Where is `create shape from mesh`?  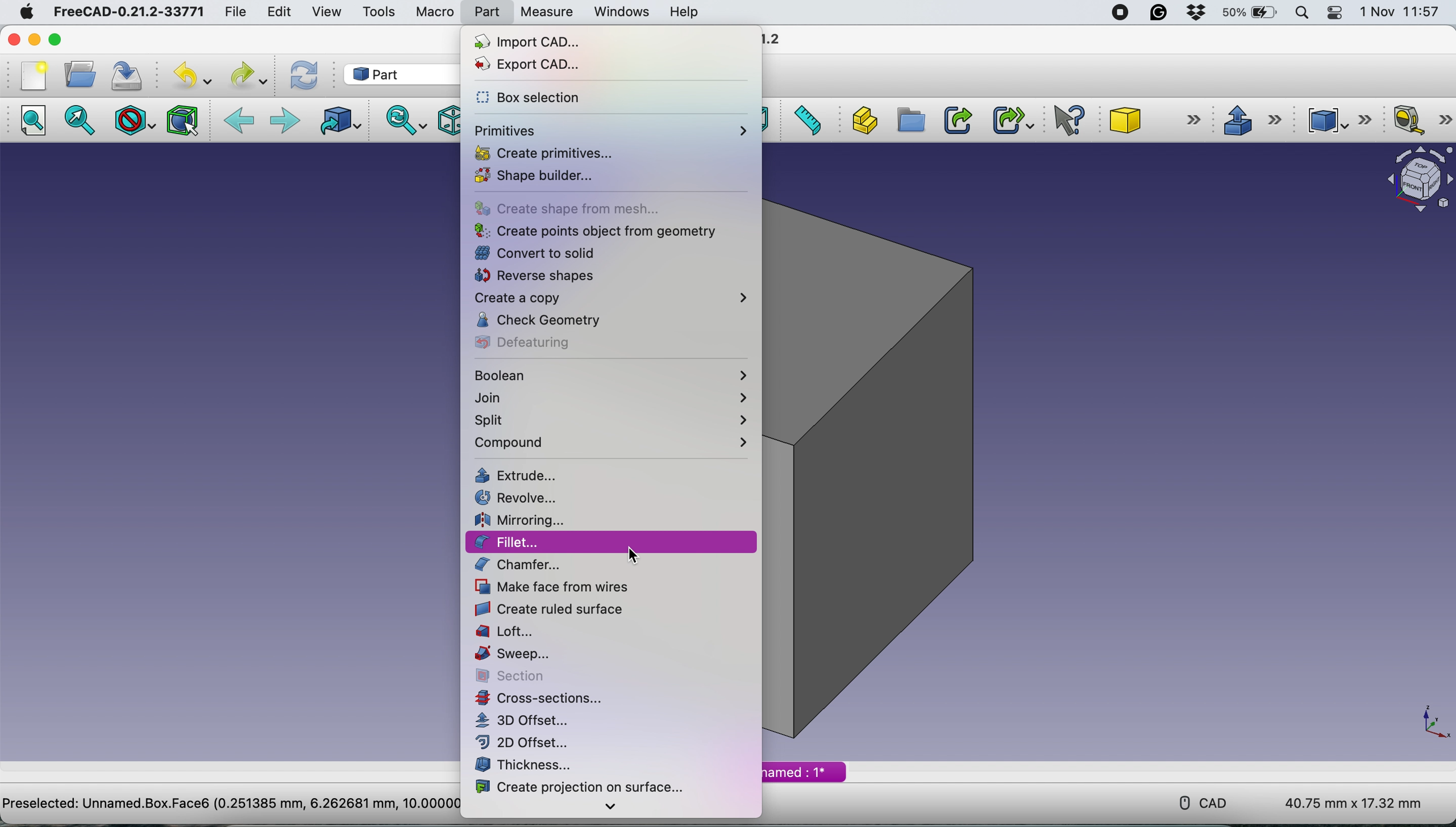
create shape from mesh is located at coordinates (586, 208).